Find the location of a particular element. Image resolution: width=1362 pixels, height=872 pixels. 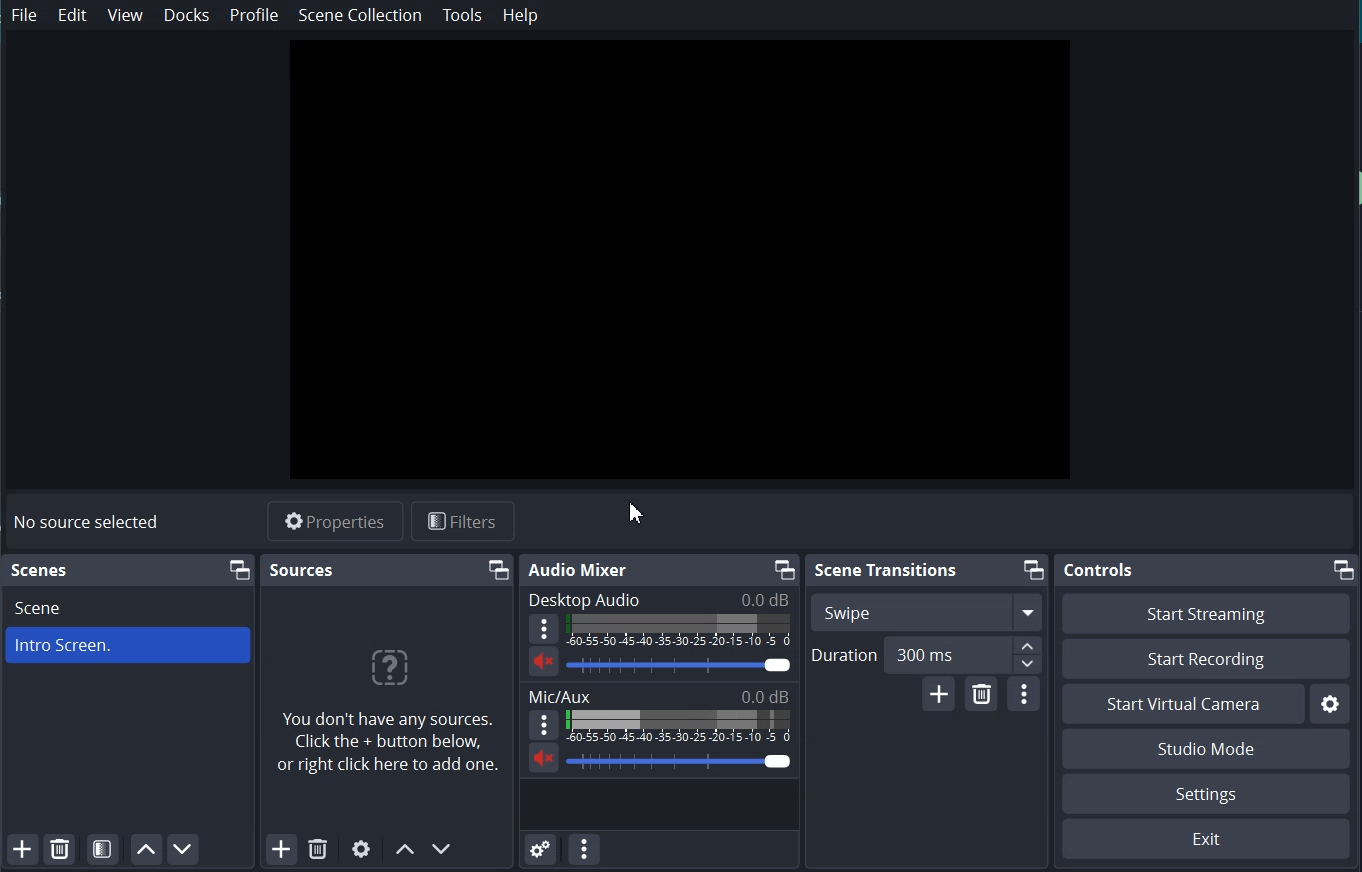

Cursor is located at coordinates (638, 511).